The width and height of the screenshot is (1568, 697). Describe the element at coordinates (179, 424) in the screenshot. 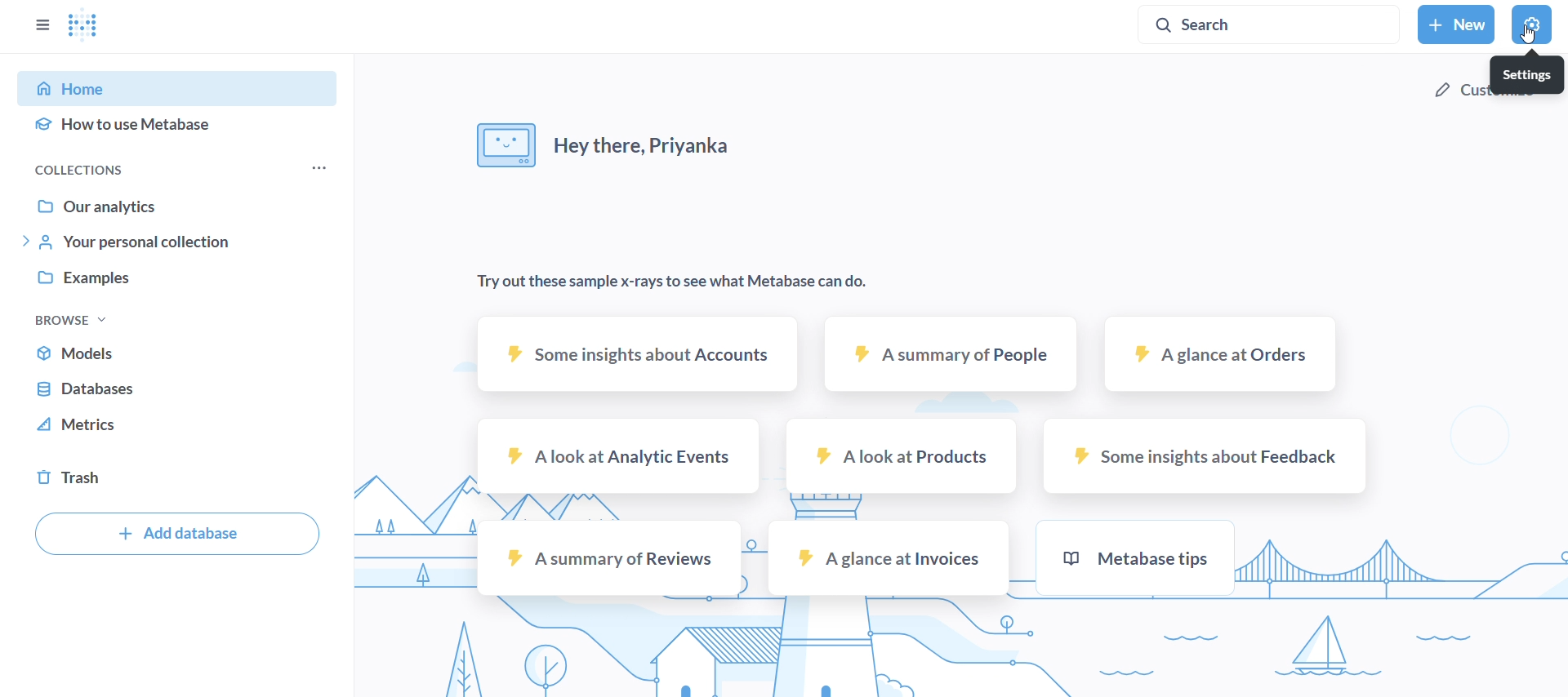

I see `metrics` at that location.